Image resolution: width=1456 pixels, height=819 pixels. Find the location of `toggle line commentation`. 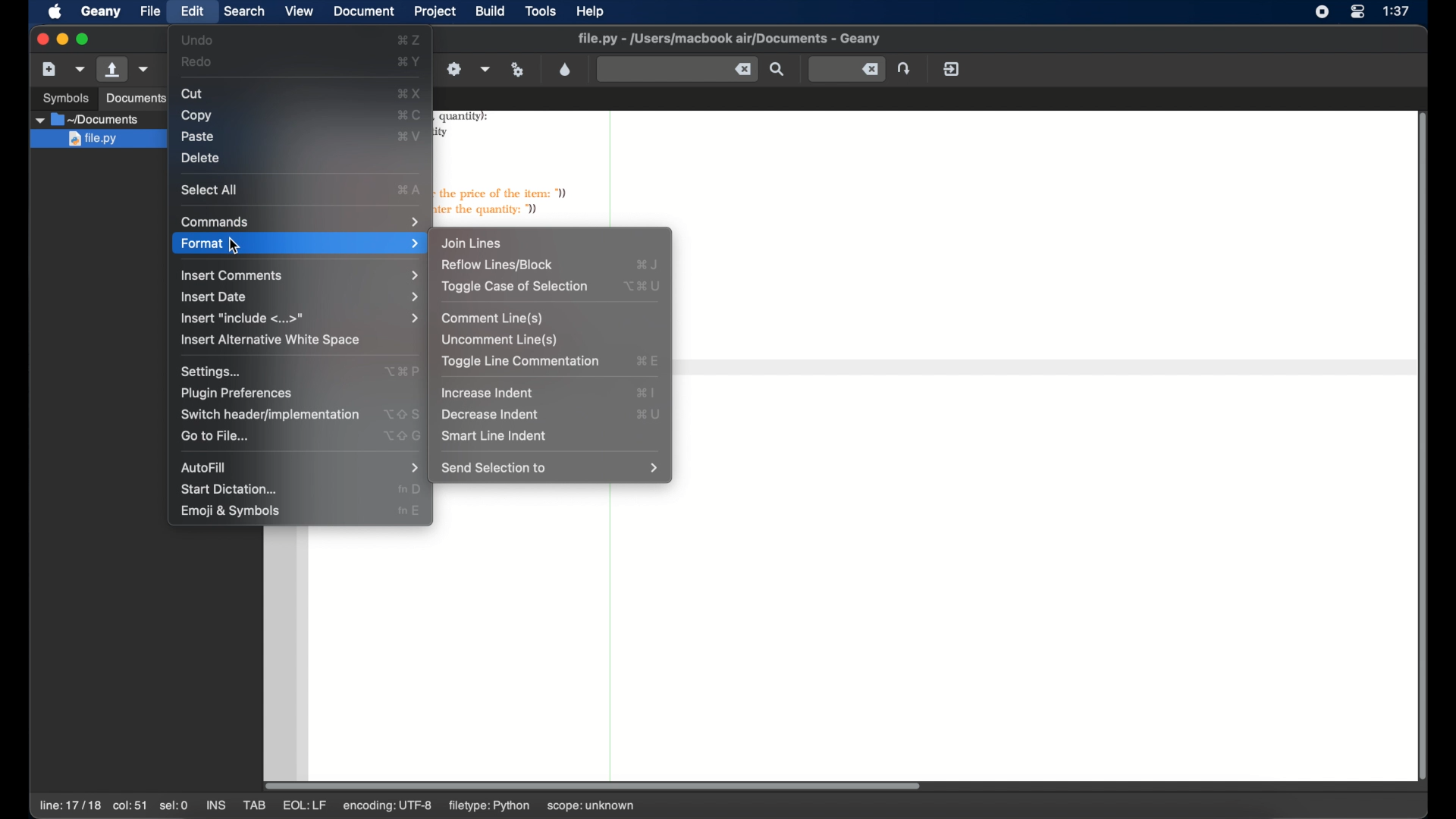

toggle line commentation is located at coordinates (520, 362).